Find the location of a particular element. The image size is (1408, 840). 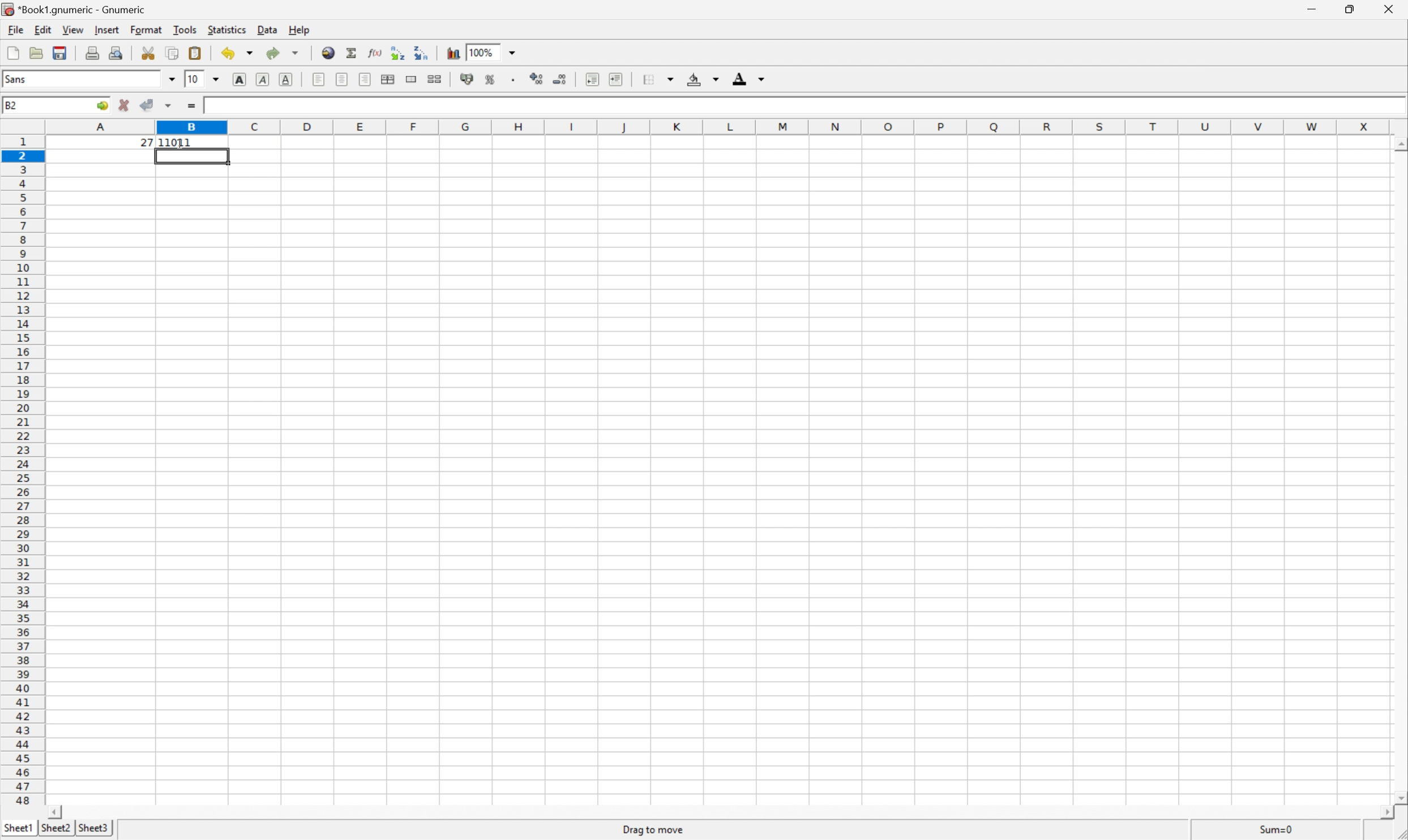

Drop Down is located at coordinates (219, 80).